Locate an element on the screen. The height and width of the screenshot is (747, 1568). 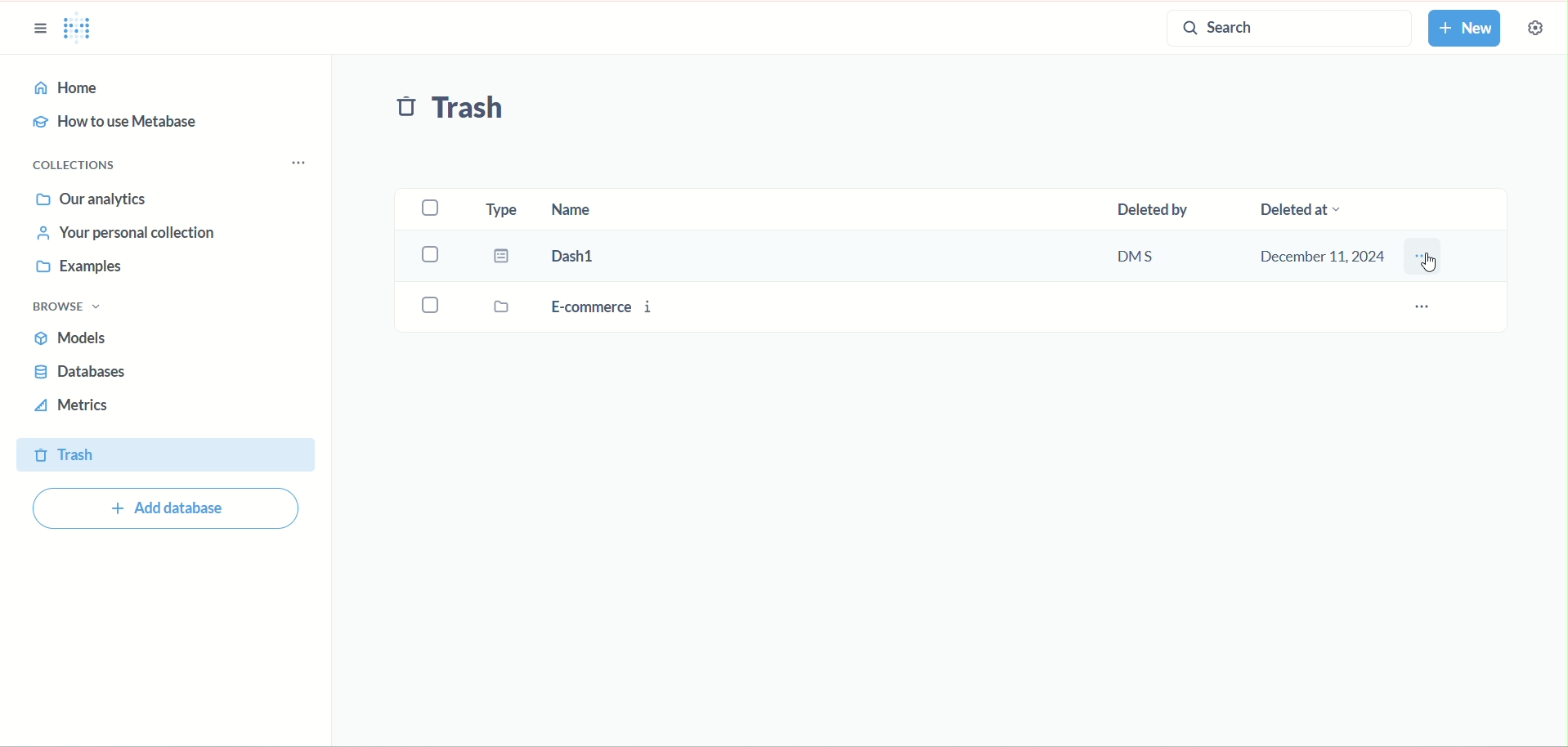
e-commerce i options  is located at coordinates (1422, 308).